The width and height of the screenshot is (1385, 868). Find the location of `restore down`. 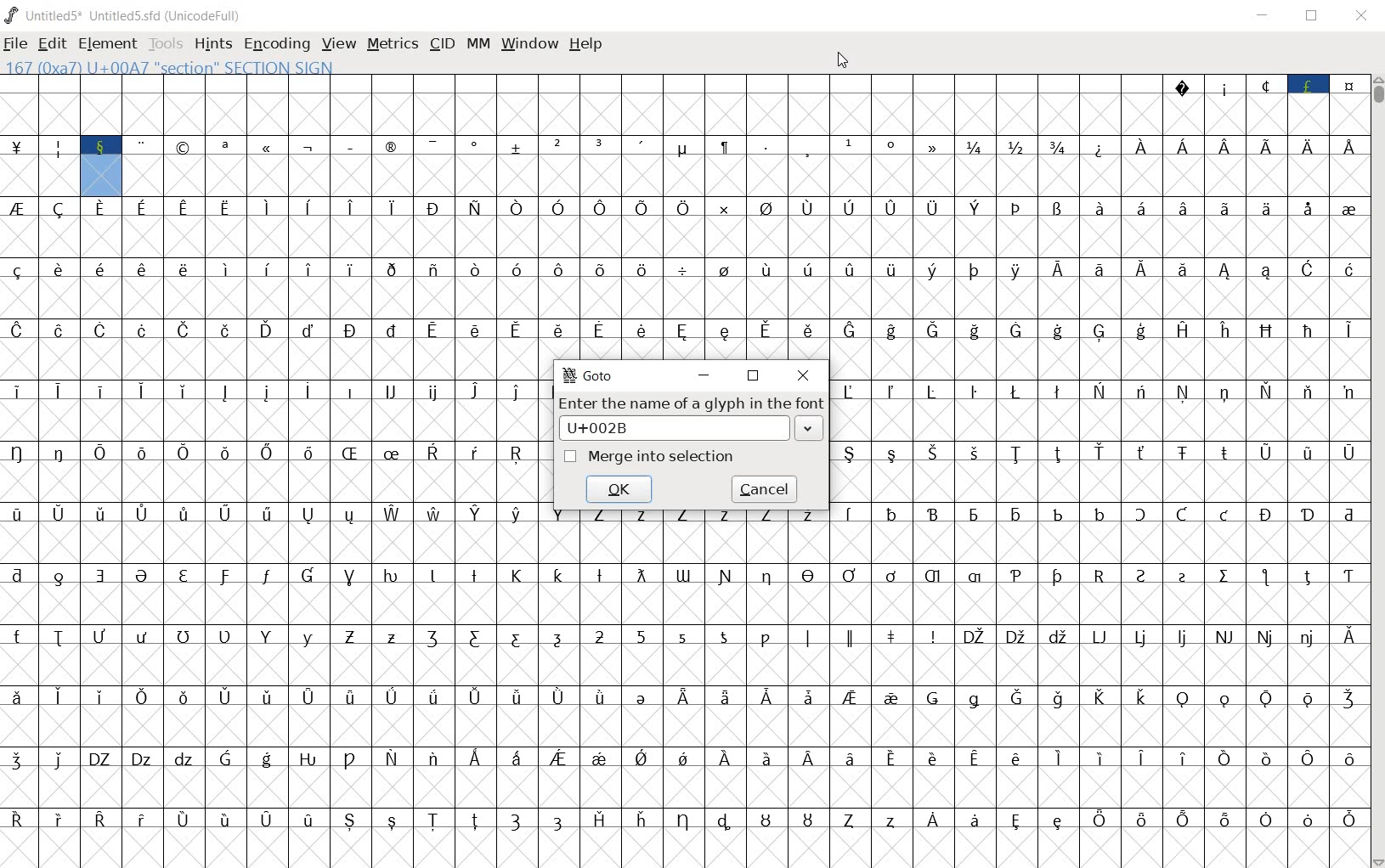

restore down is located at coordinates (1314, 16).